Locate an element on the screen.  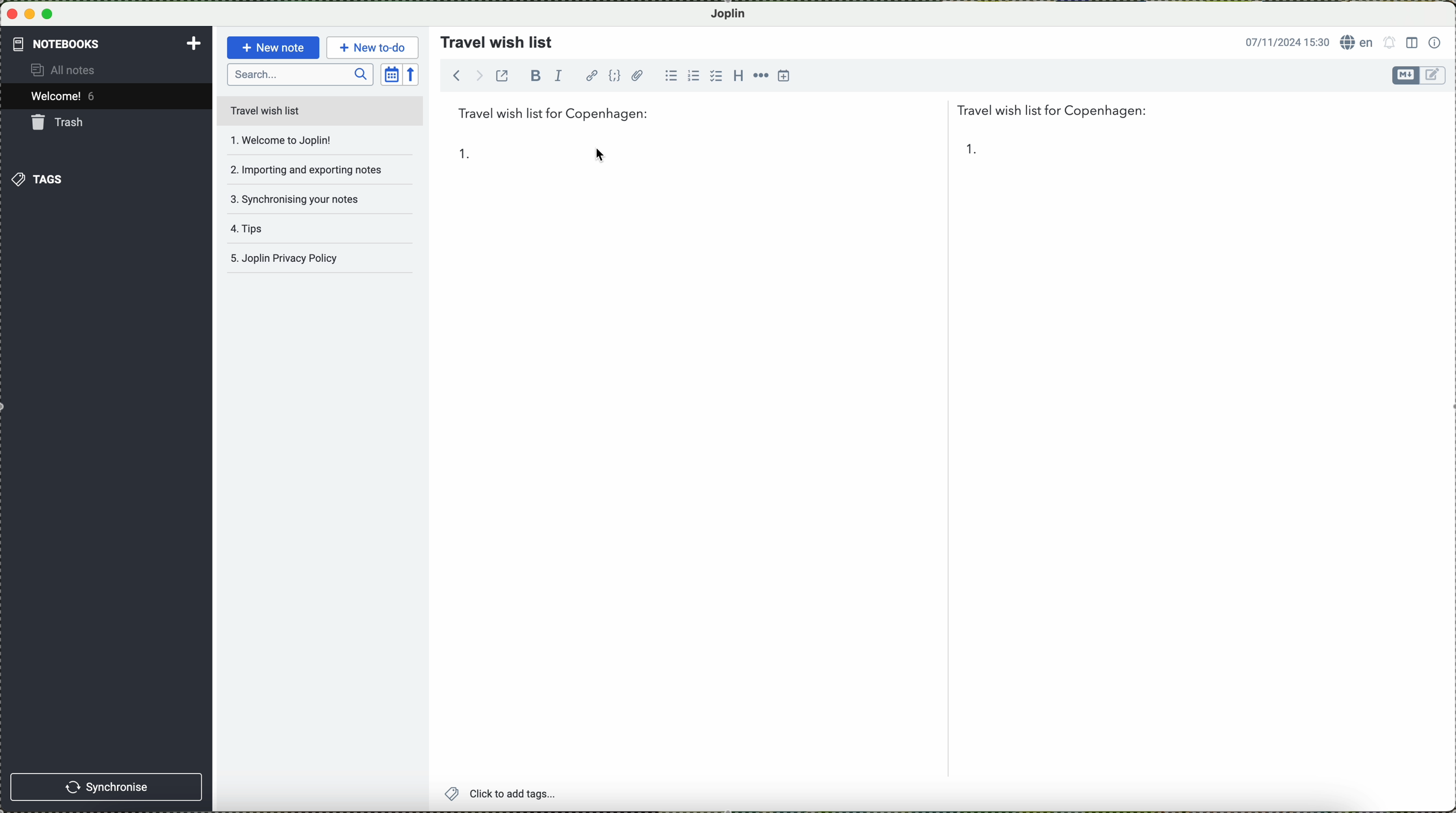
welcome 5 is located at coordinates (66, 98).